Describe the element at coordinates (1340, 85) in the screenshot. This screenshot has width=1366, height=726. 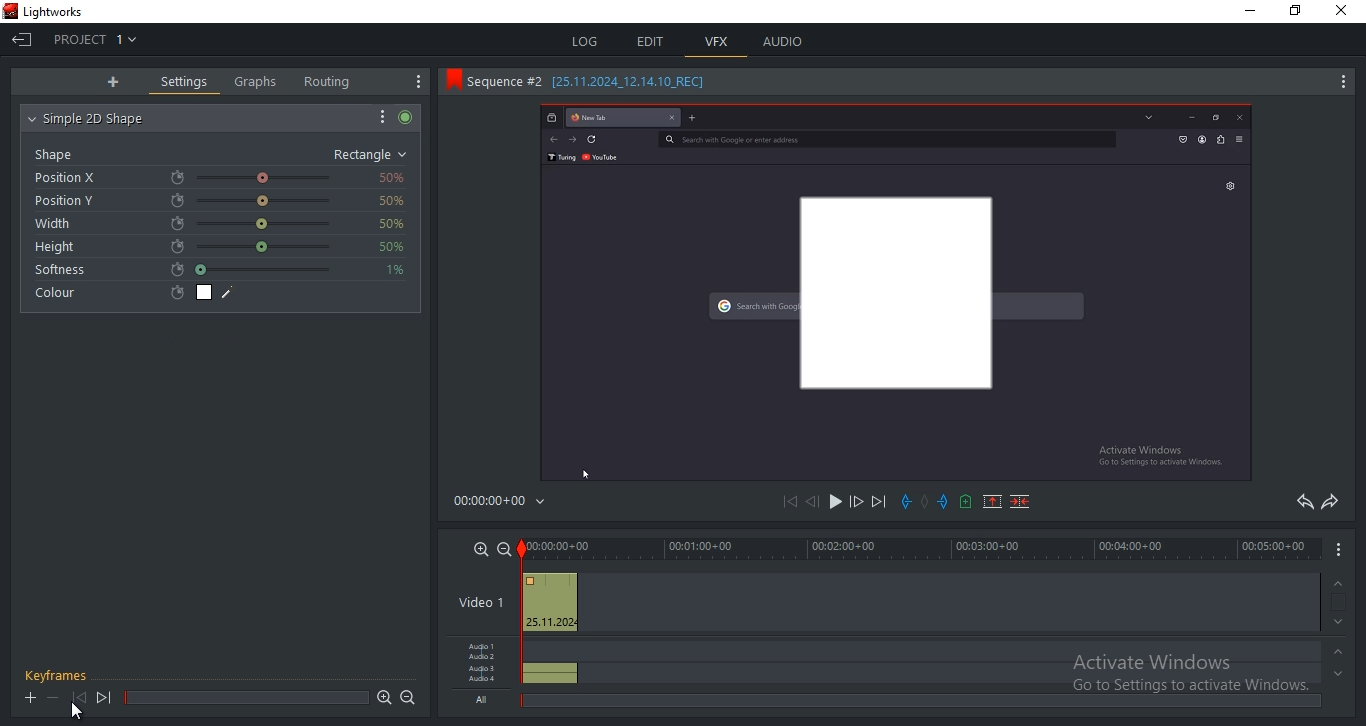
I see `more options` at that location.